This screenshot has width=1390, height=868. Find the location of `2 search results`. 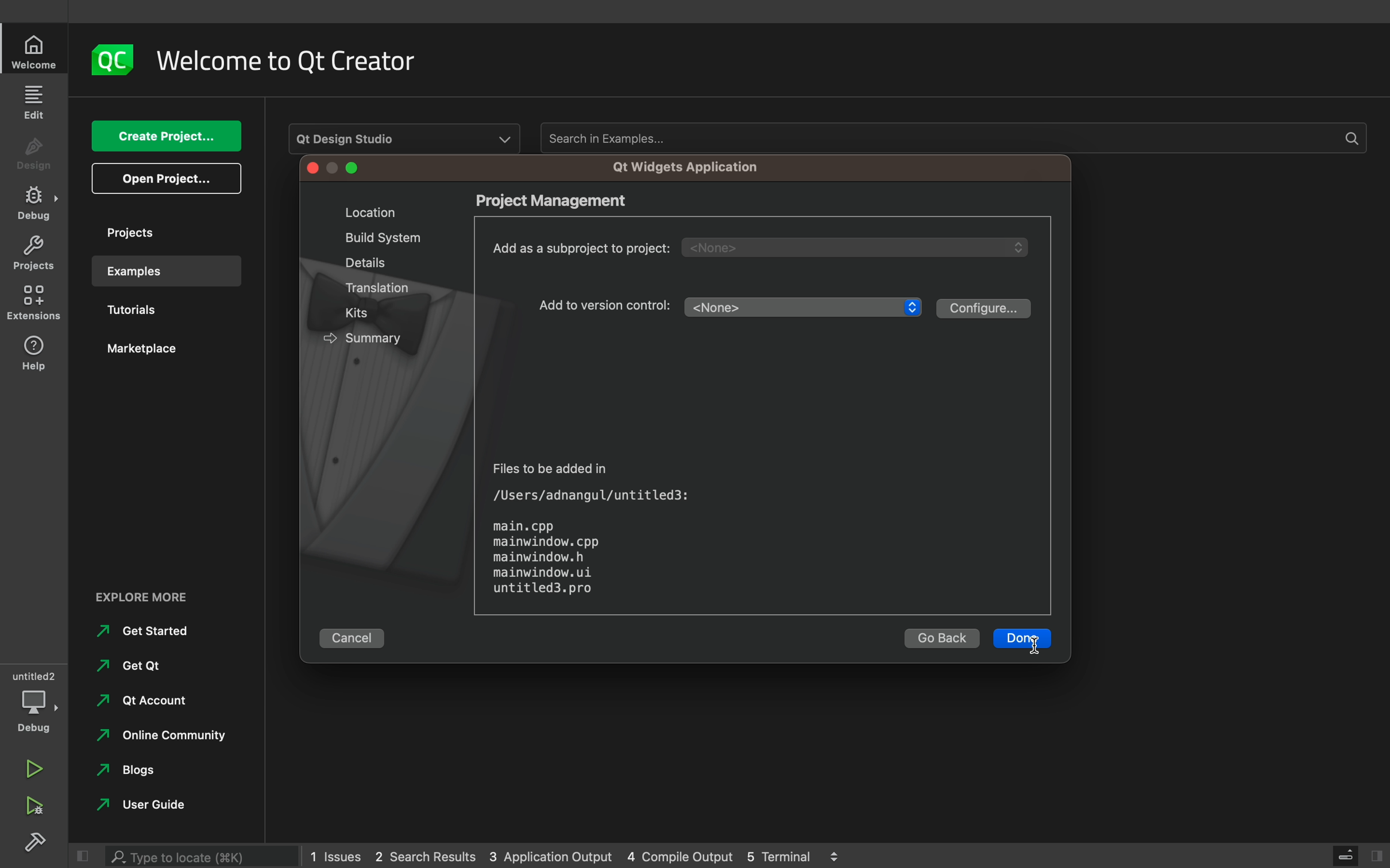

2 search results is located at coordinates (428, 857).